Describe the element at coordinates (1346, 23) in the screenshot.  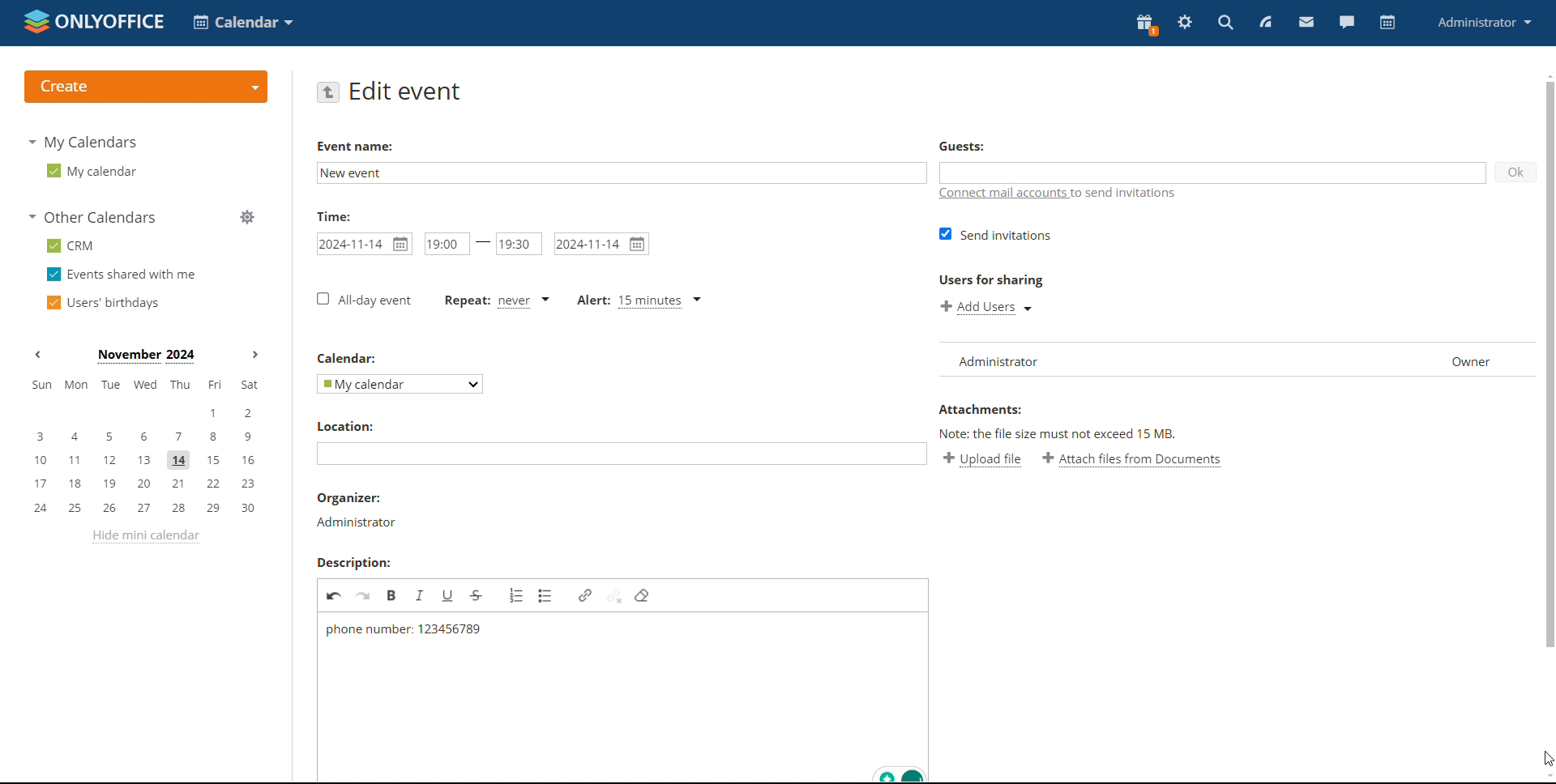
I see `chat` at that location.